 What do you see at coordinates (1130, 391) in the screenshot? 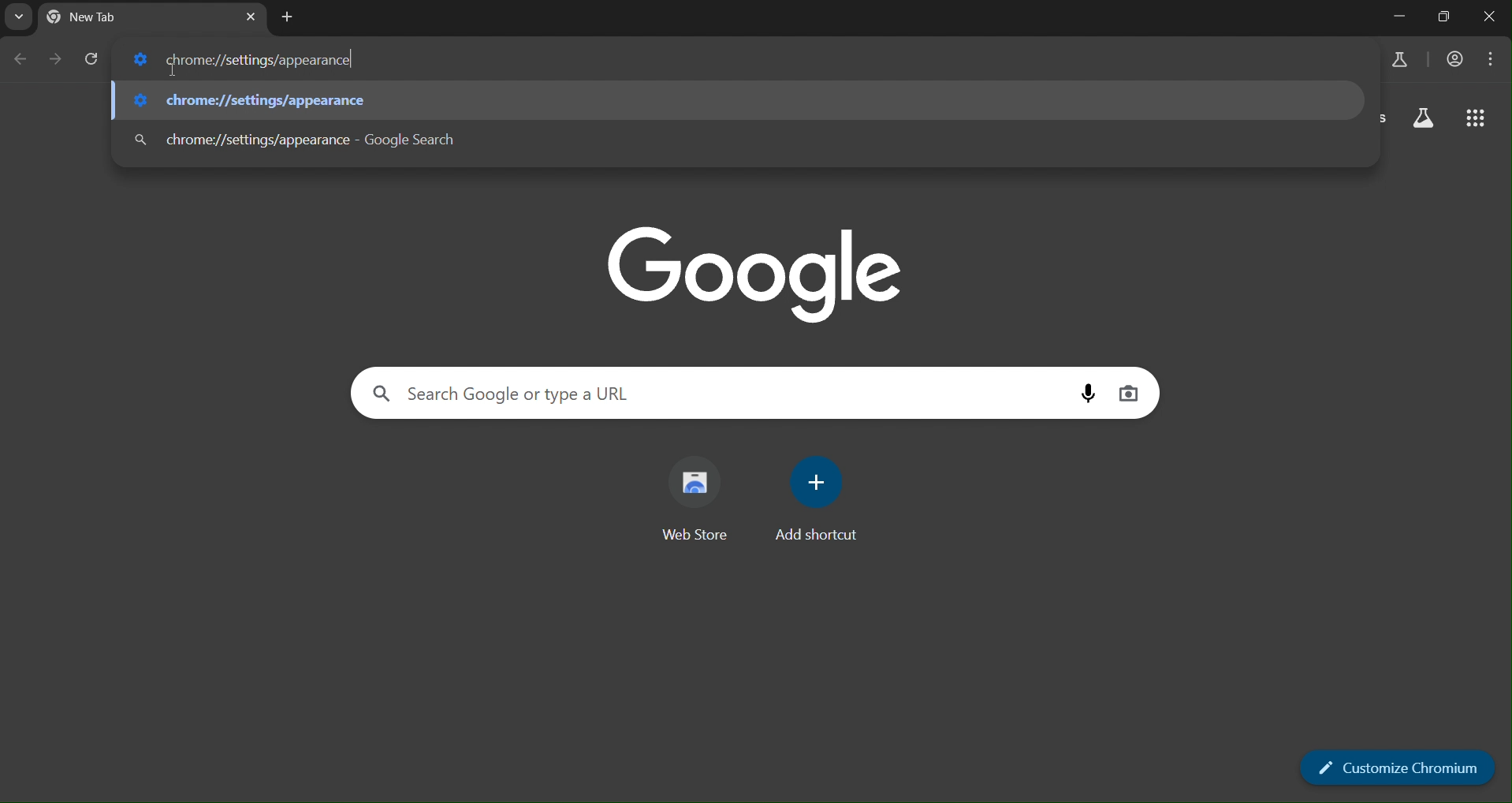
I see `image search` at bounding box center [1130, 391].